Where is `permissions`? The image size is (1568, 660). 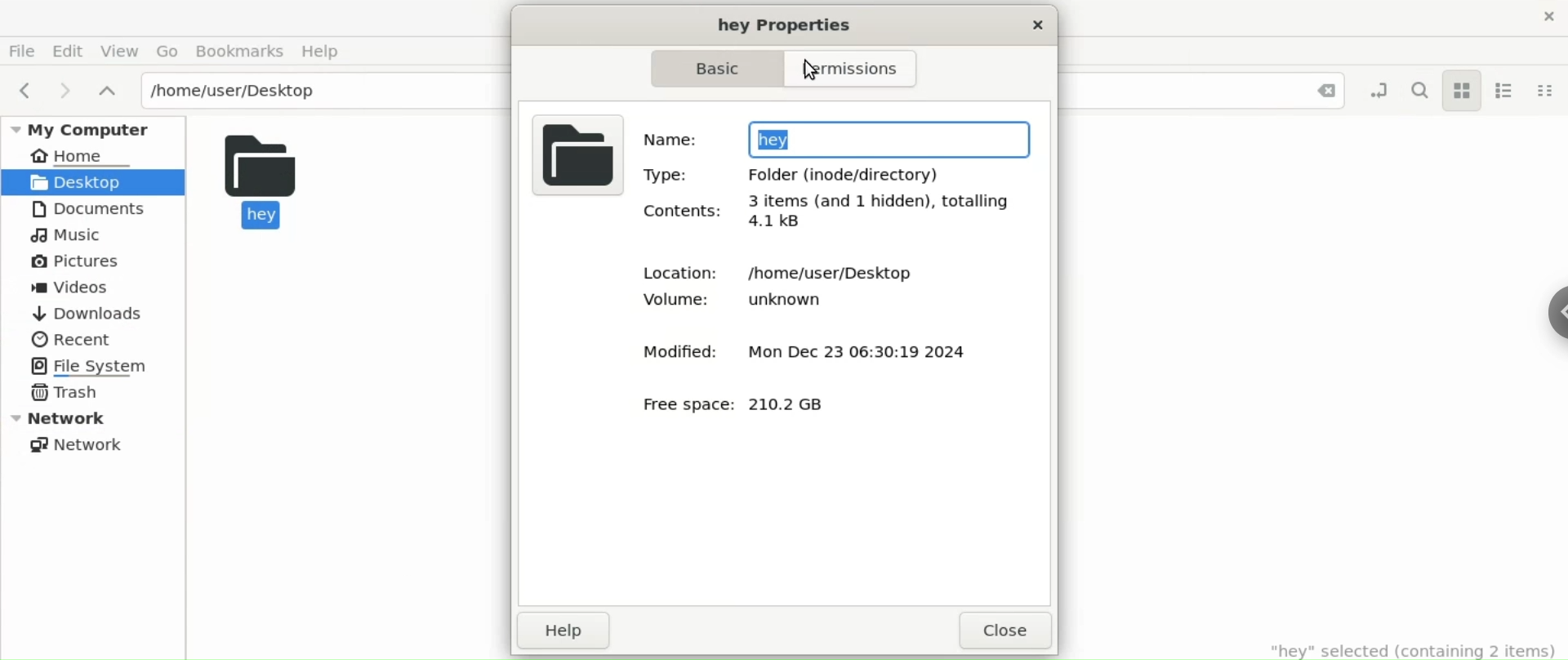 permissions is located at coordinates (854, 69).